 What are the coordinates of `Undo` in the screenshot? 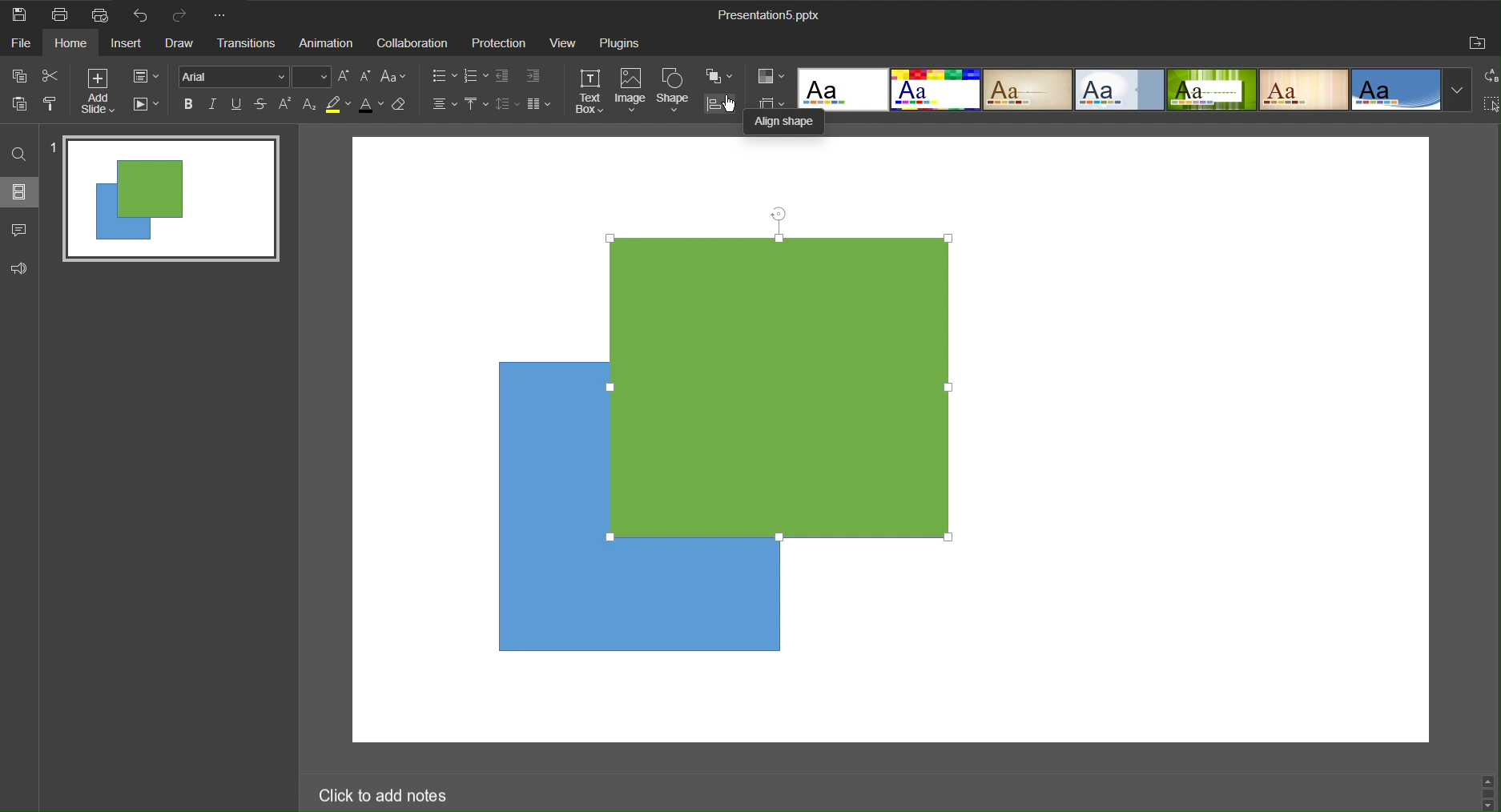 It's located at (145, 17).